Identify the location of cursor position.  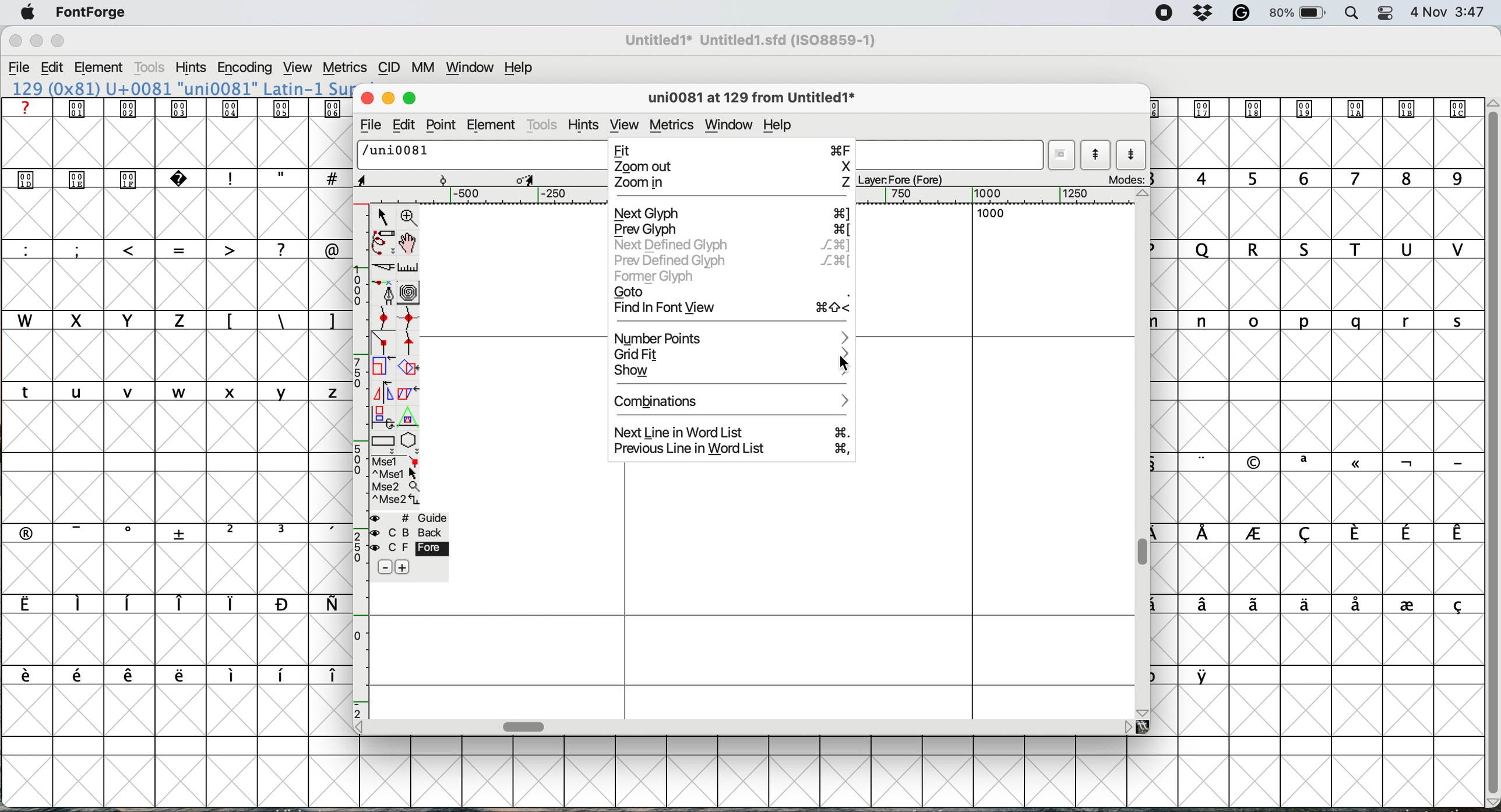
(380, 179).